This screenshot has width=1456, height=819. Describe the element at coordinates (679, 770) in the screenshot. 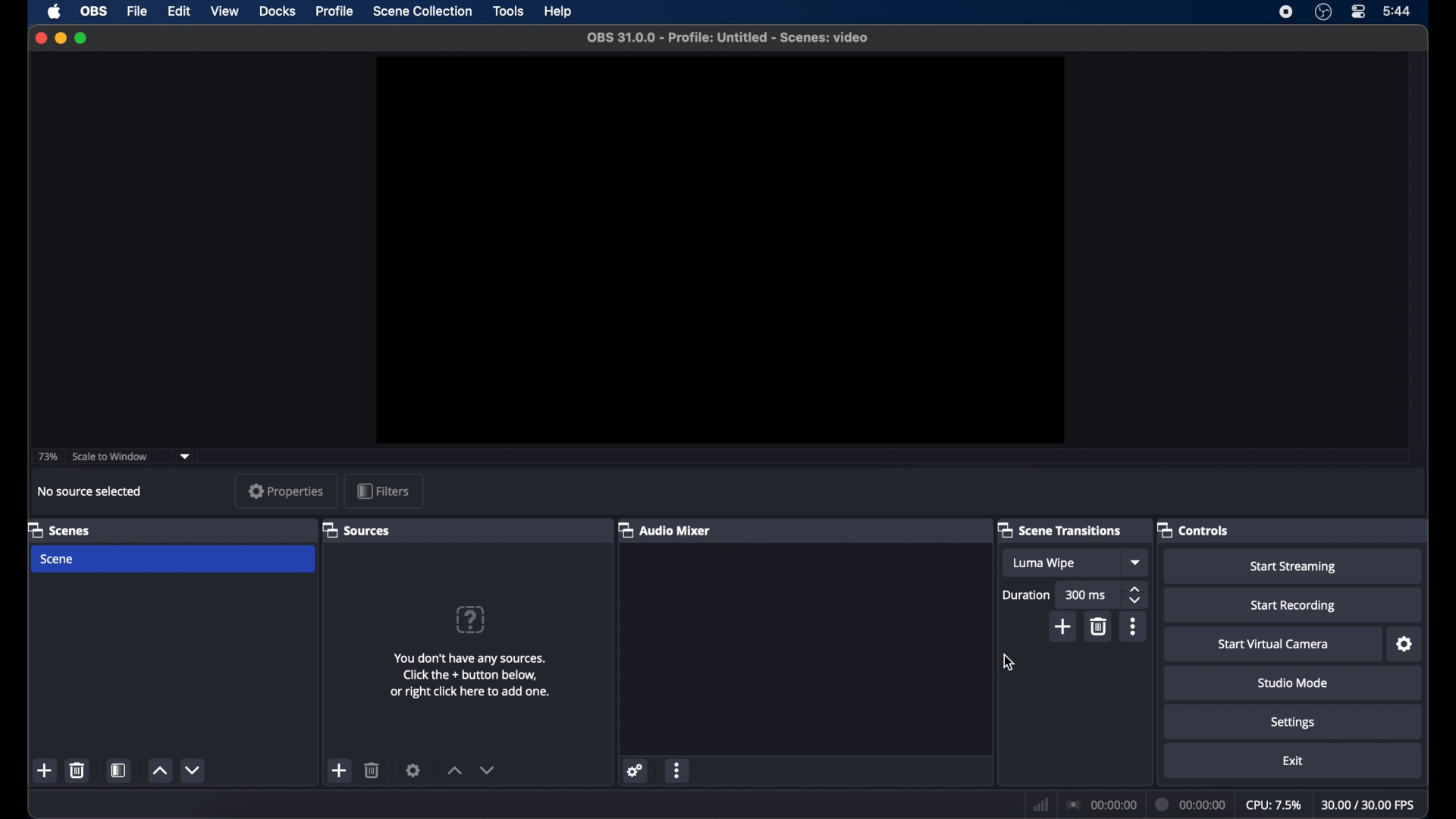

I see `more options` at that location.